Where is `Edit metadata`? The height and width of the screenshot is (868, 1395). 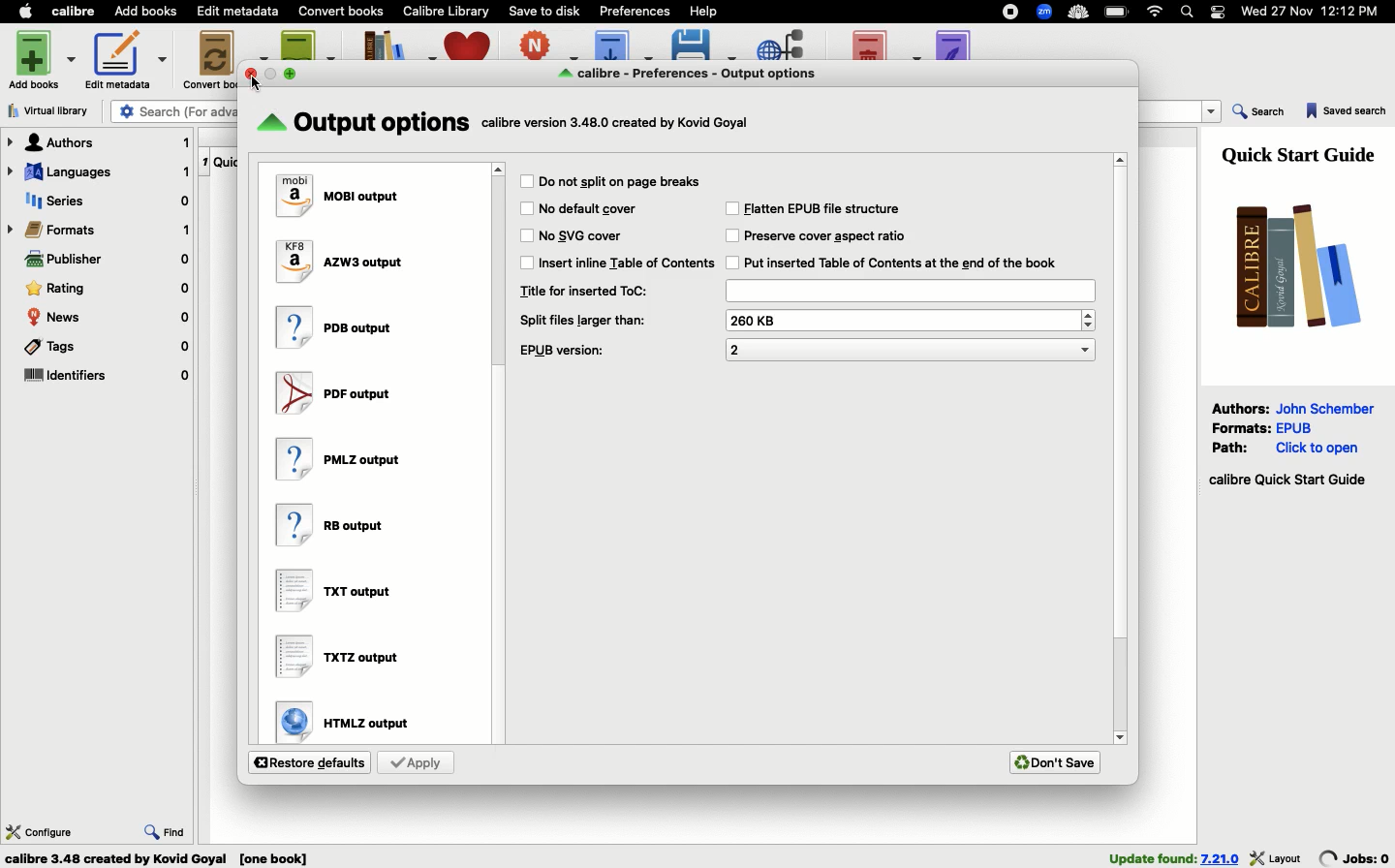
Edit metadata is located at coordinates (239, 12).